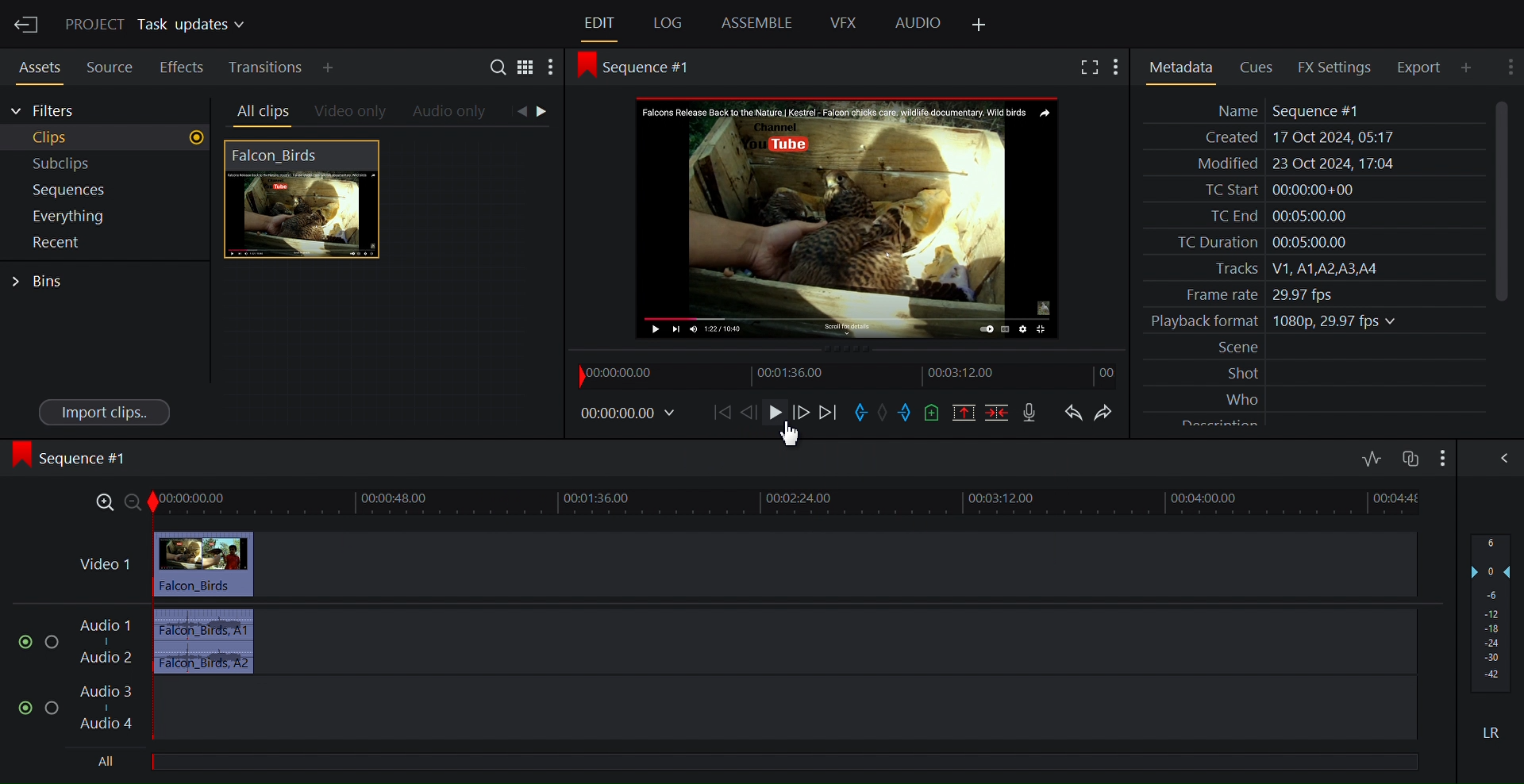  I want to click on Scene, so click(1316, 348).